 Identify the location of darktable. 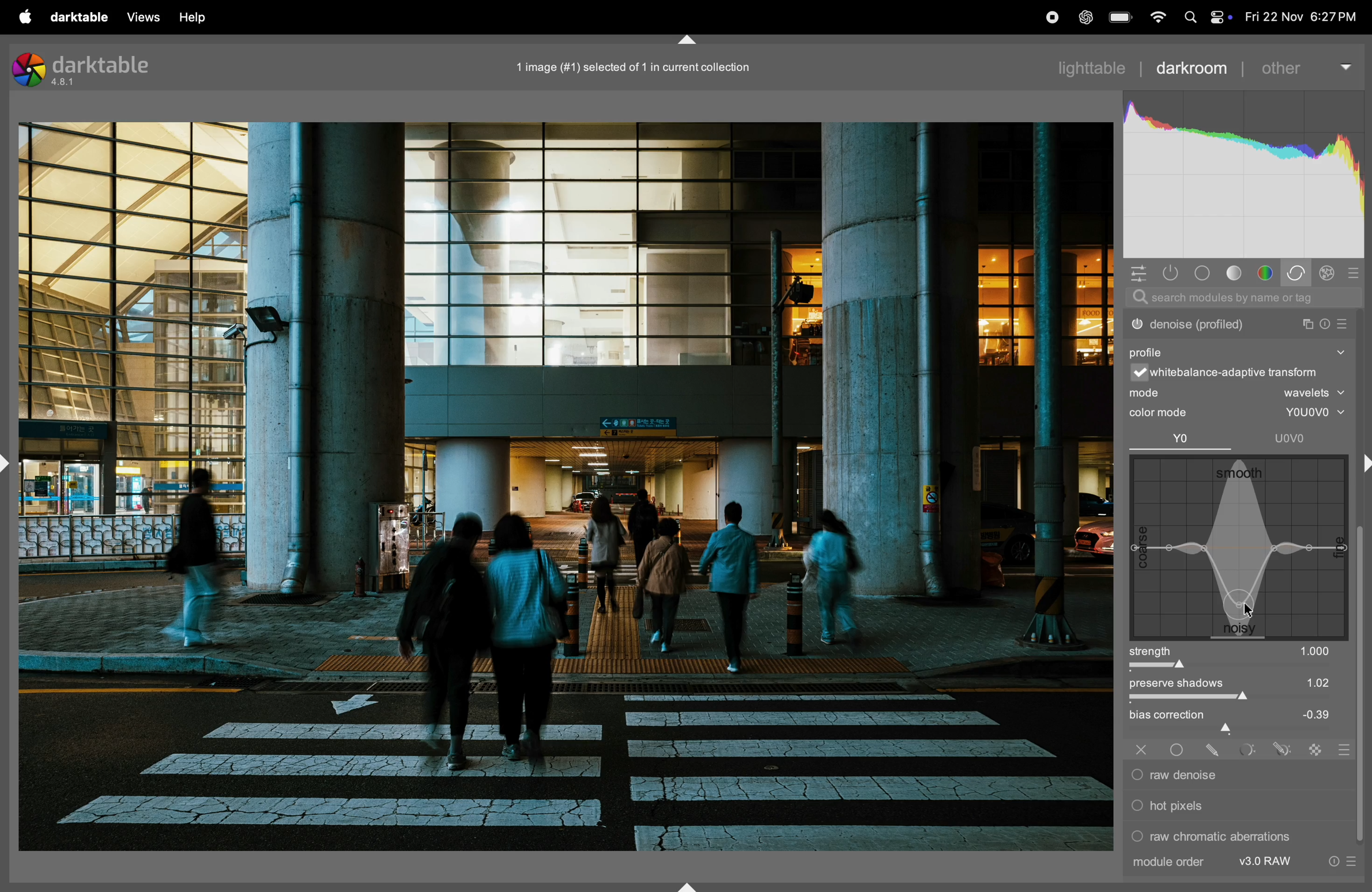
(82, 18).